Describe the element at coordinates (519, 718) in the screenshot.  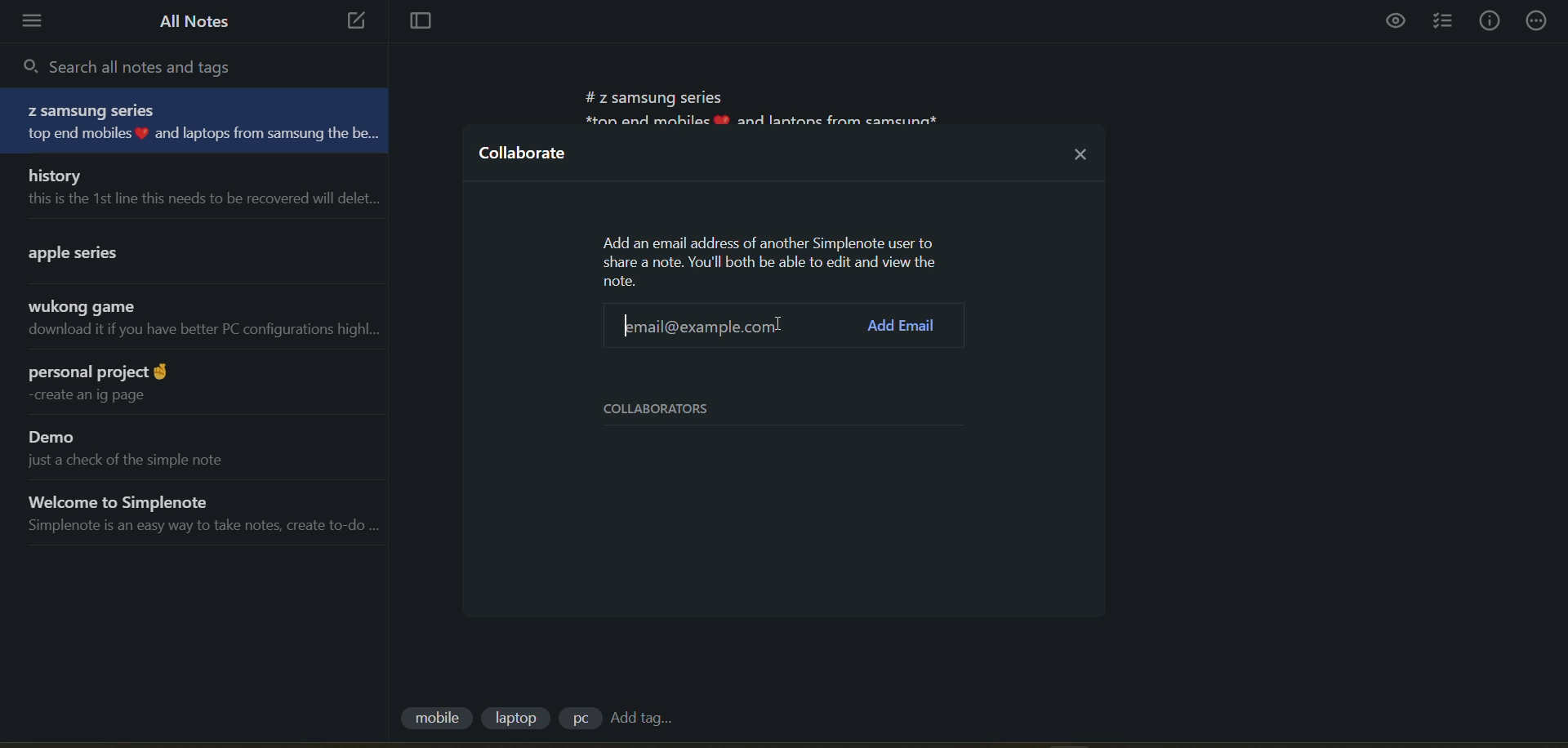
I see `tag 2` at that location.